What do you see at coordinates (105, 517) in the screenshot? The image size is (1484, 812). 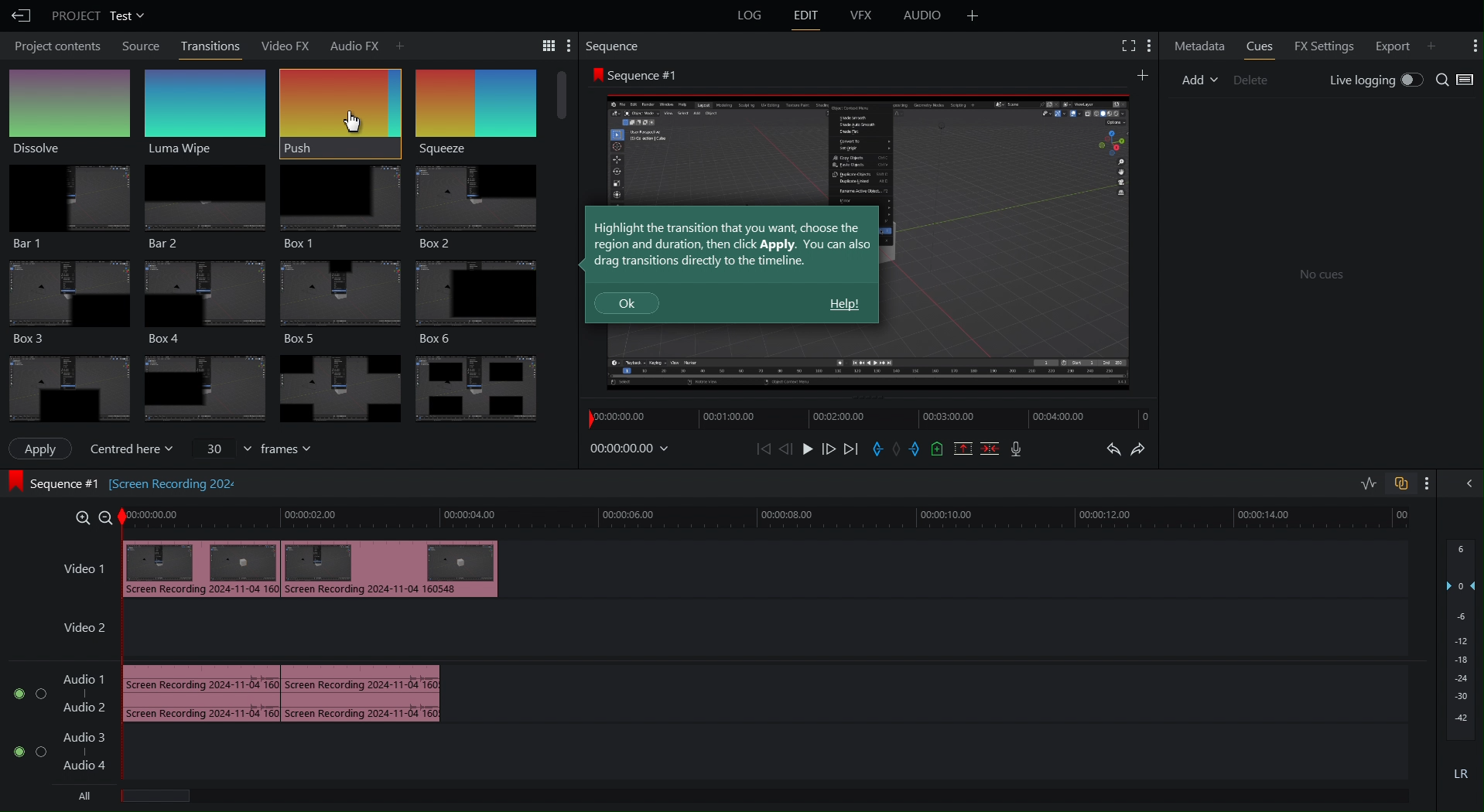 I see `zoom out` at bounding box center [105, 517].